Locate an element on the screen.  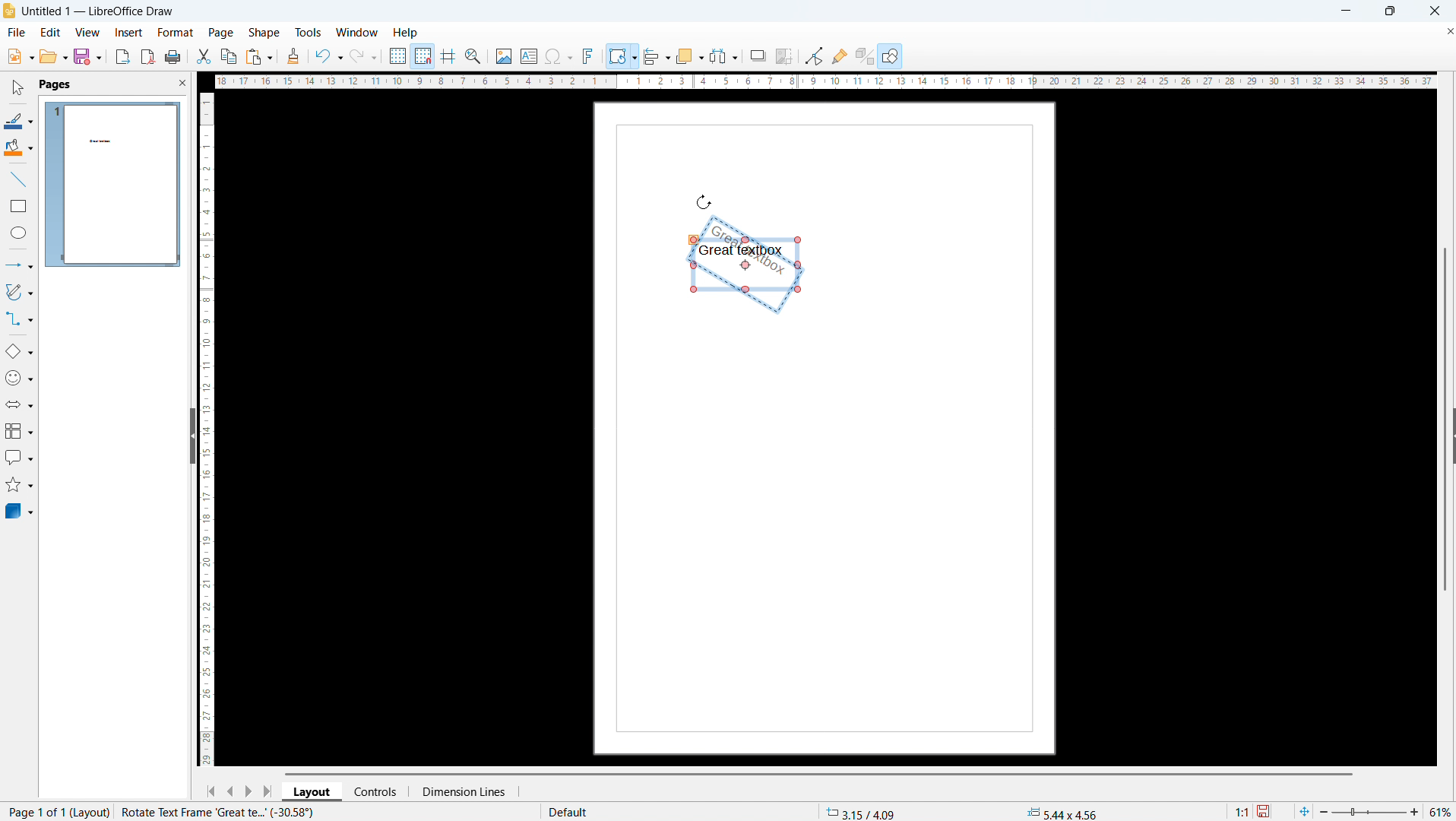
format is located at coordinates (174, 32).